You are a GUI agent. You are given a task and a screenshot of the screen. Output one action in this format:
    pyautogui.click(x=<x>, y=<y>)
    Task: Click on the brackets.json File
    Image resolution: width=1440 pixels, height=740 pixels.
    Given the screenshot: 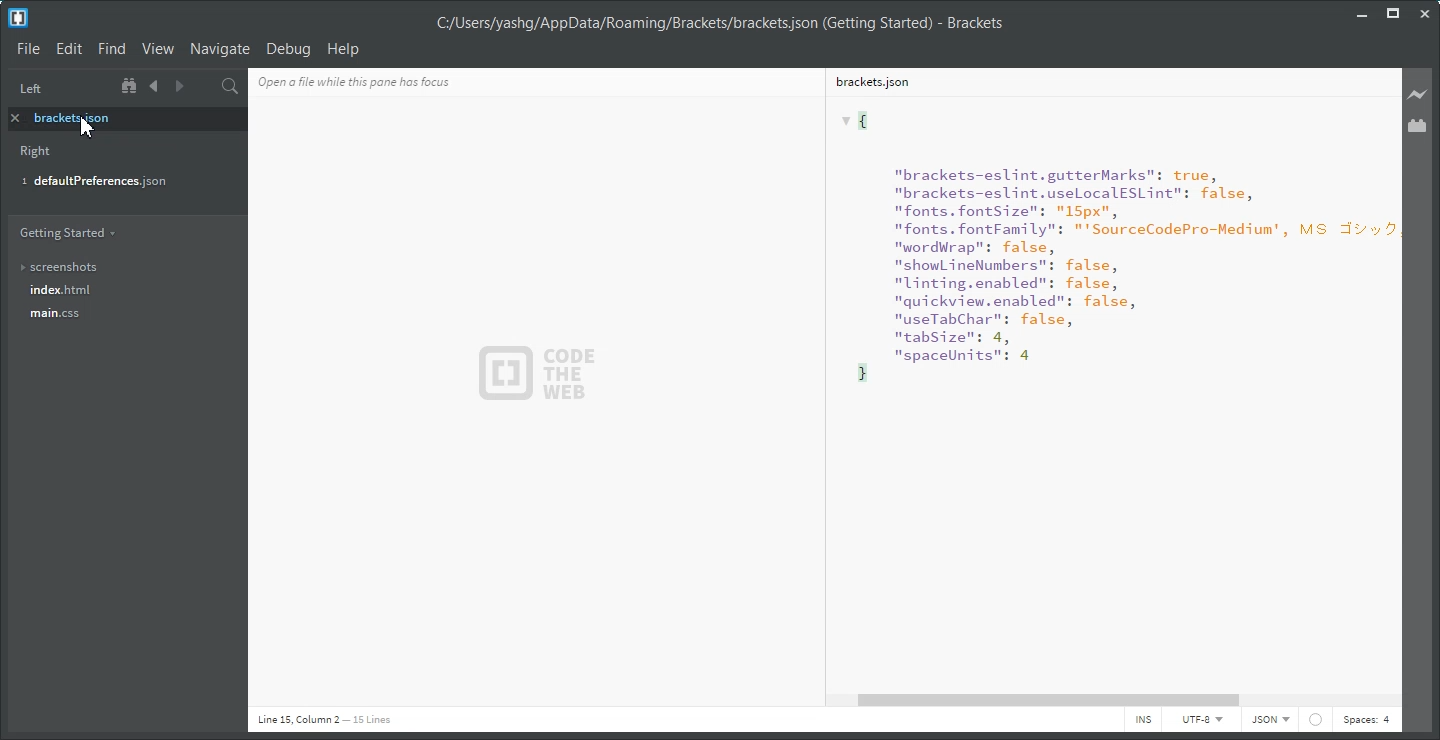 What is the action you would take?
    pyautogui.click(x=1103, y=81)
    